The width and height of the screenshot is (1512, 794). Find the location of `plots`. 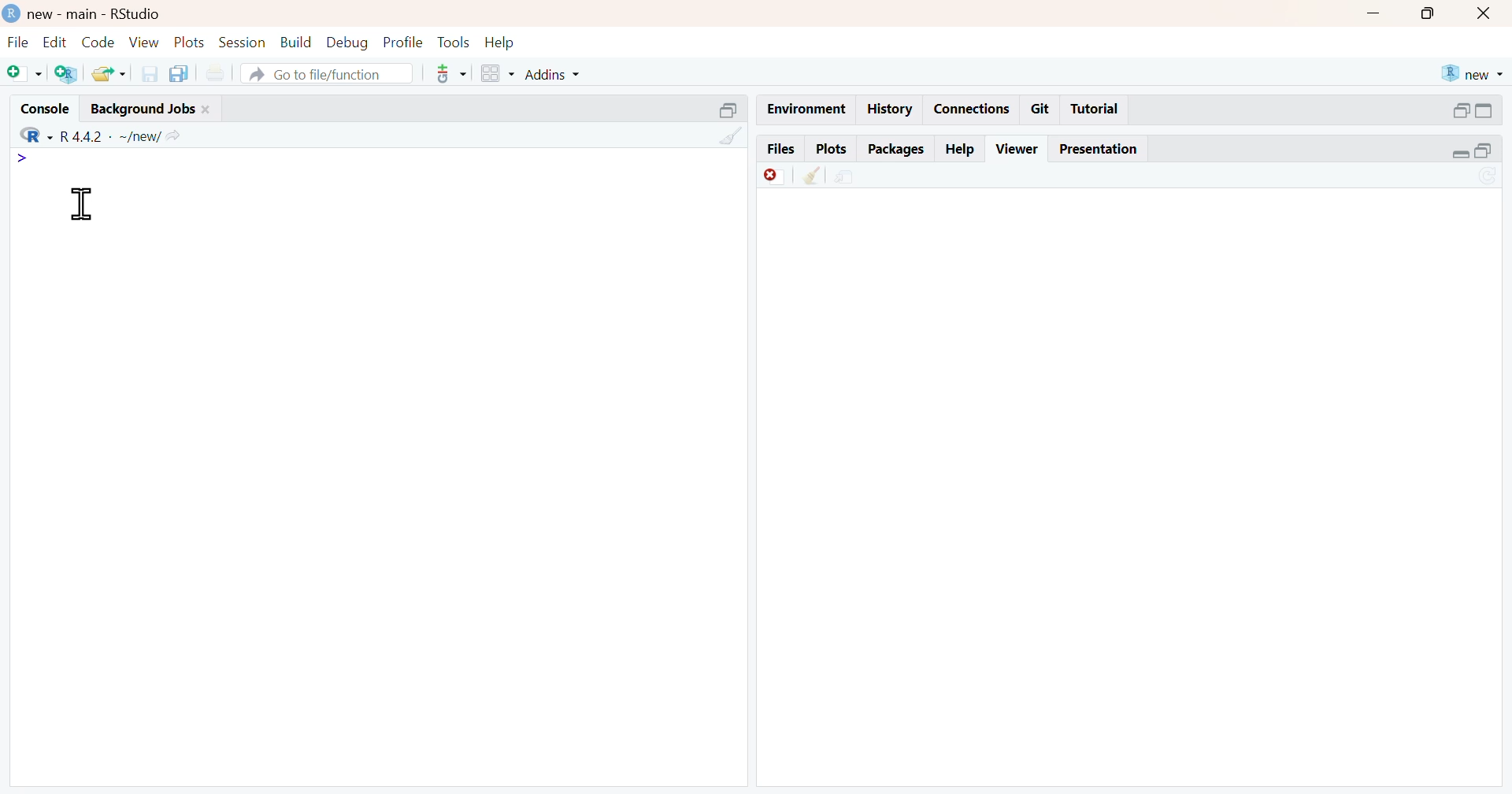

plots is located at coordinates (836, 149).